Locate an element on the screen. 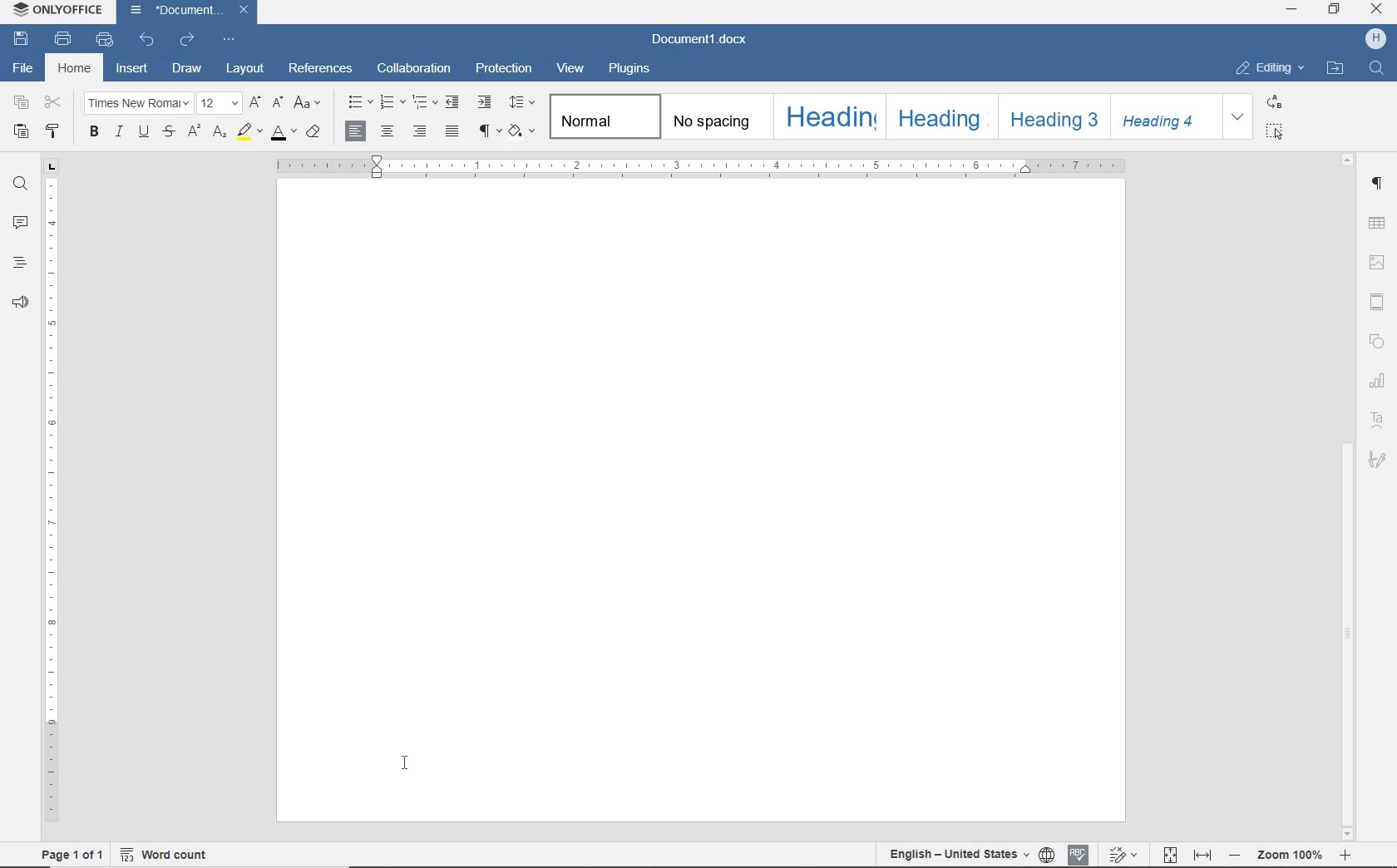  find is located at coordinates (18, 185).